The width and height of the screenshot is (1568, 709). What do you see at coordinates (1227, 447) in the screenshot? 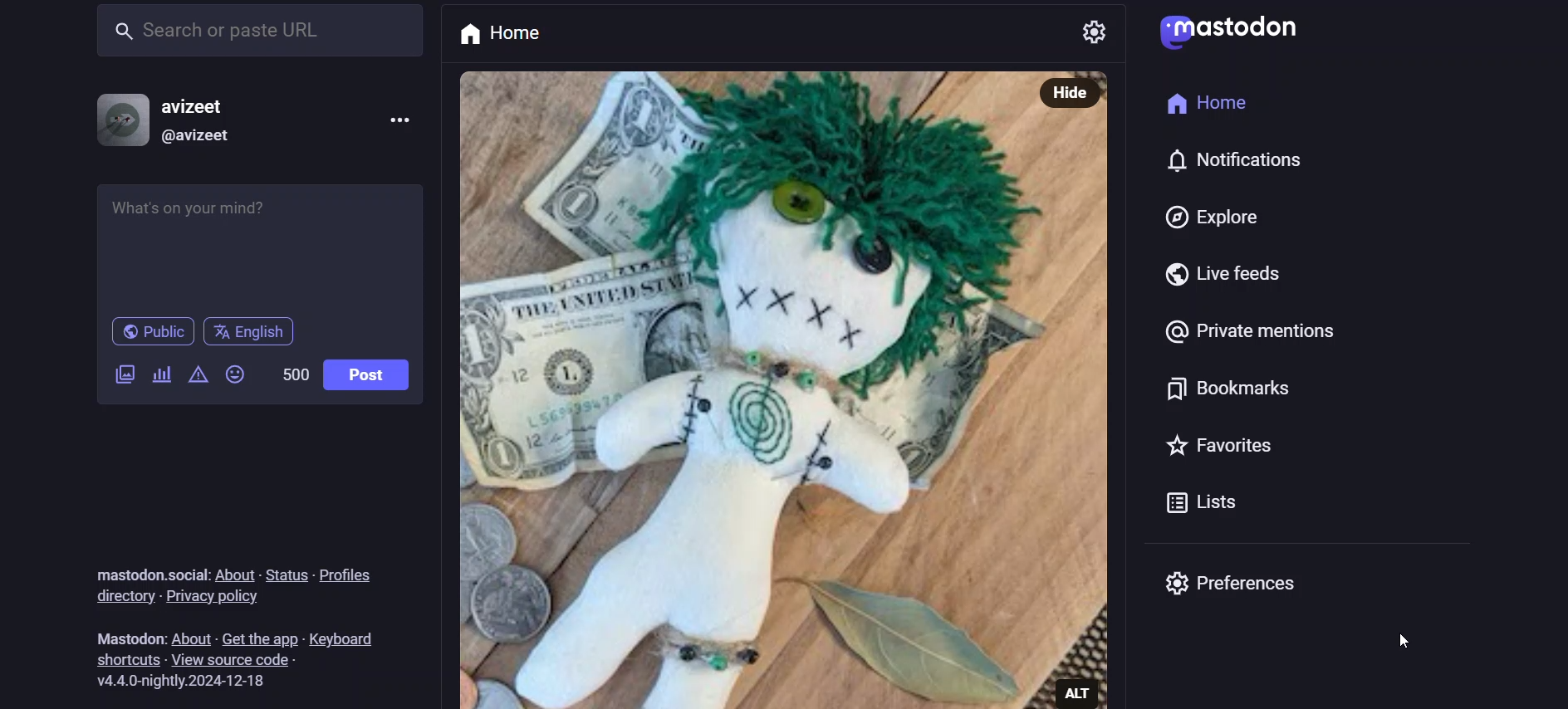
I see `favorites` at bounding box center [1227, 447].